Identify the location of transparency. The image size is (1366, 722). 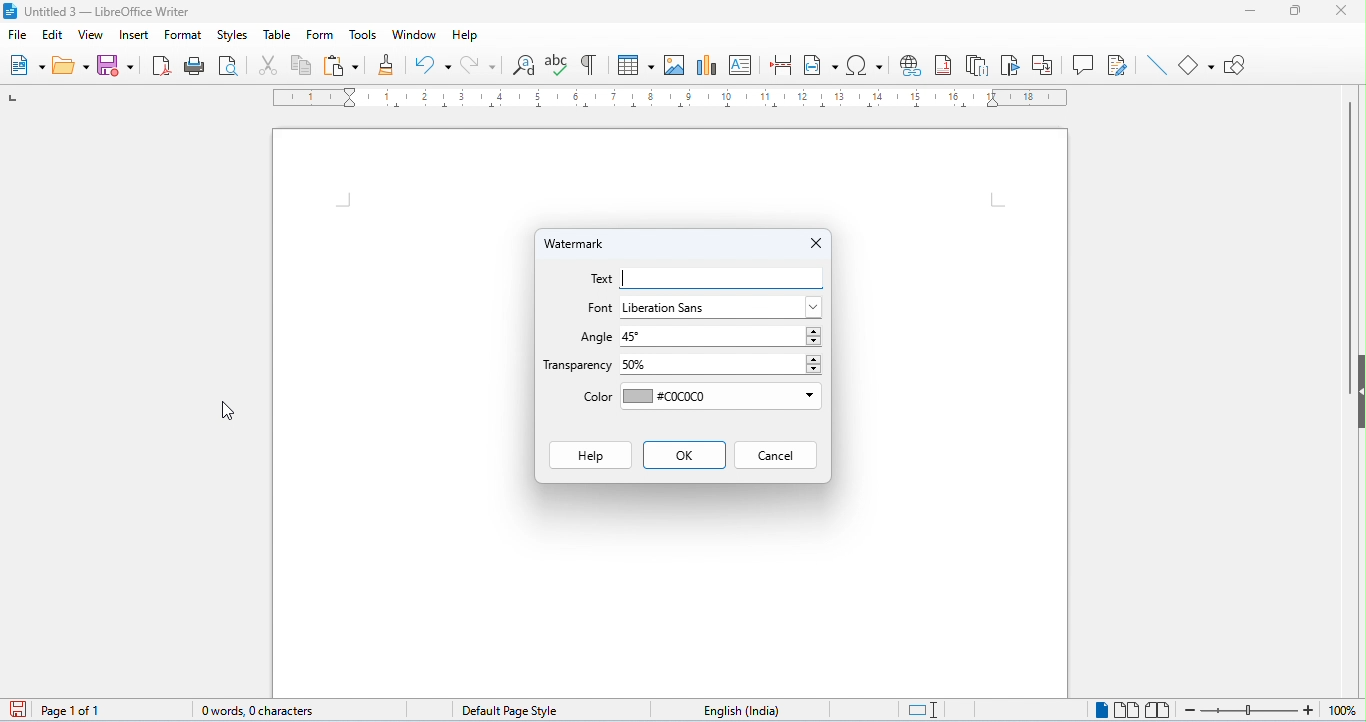
(579, 366).